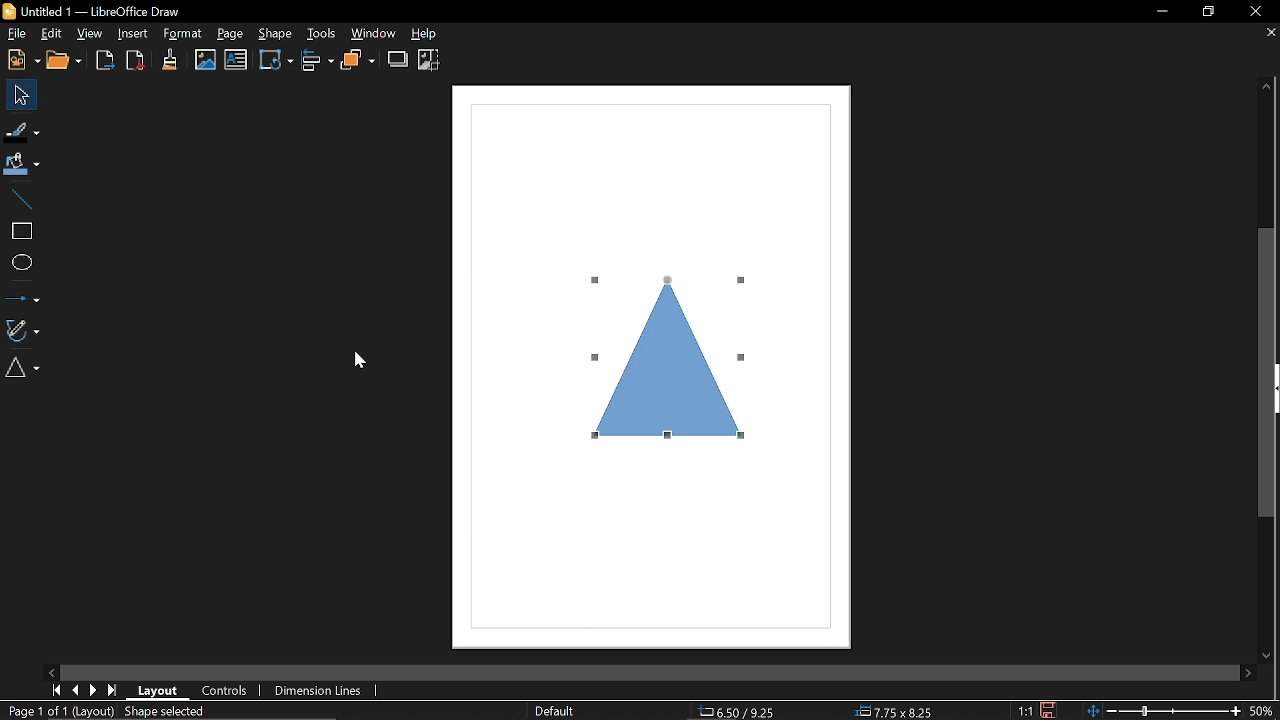 Image resolution: width=1280 pixels, height=720 pixels. Describe the element at coordinates (94, 690) in the screenshot. I see `Next page` at that location.